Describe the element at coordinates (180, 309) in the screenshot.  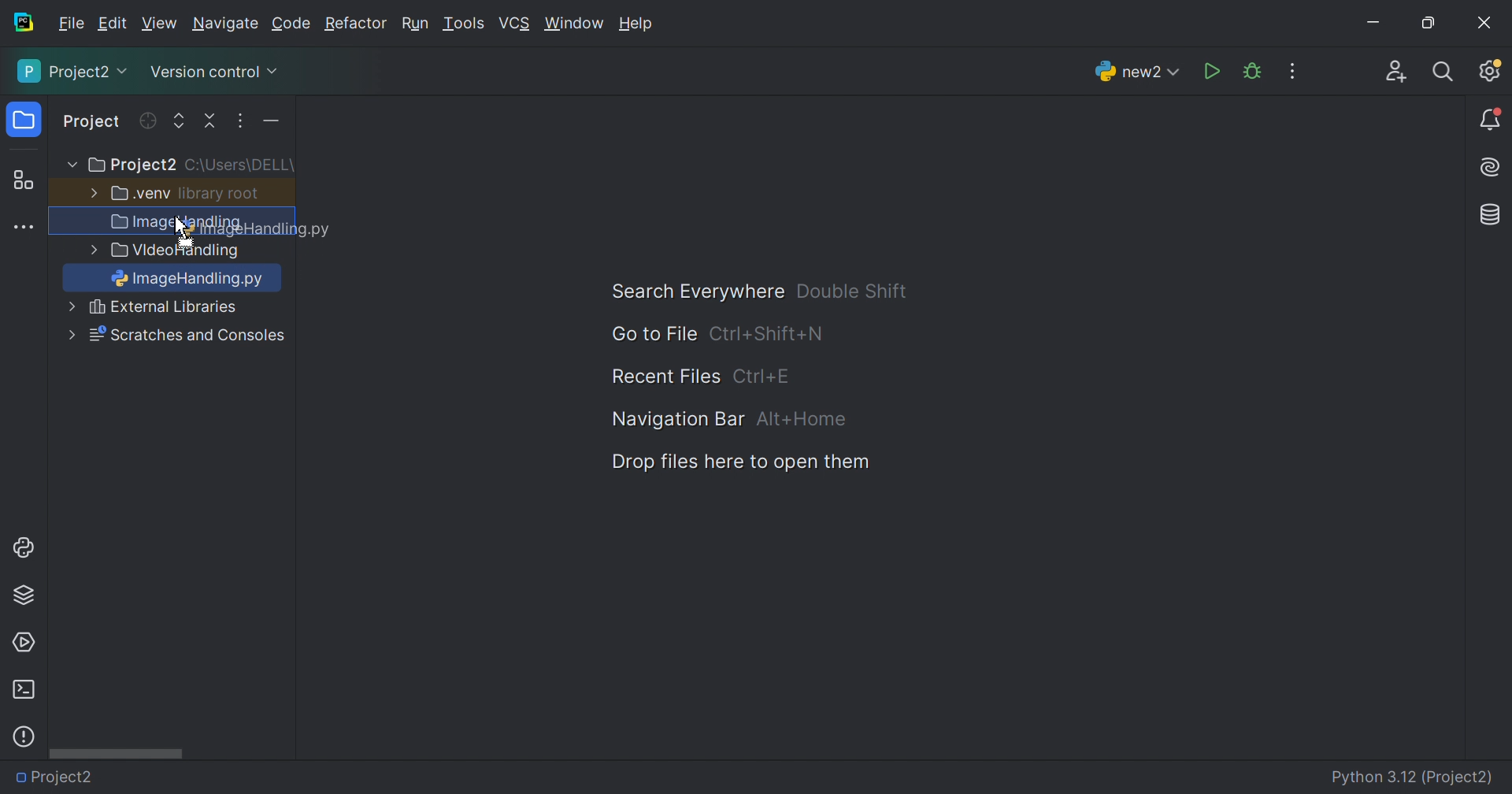
I see `VideiHandling.py` at that location.